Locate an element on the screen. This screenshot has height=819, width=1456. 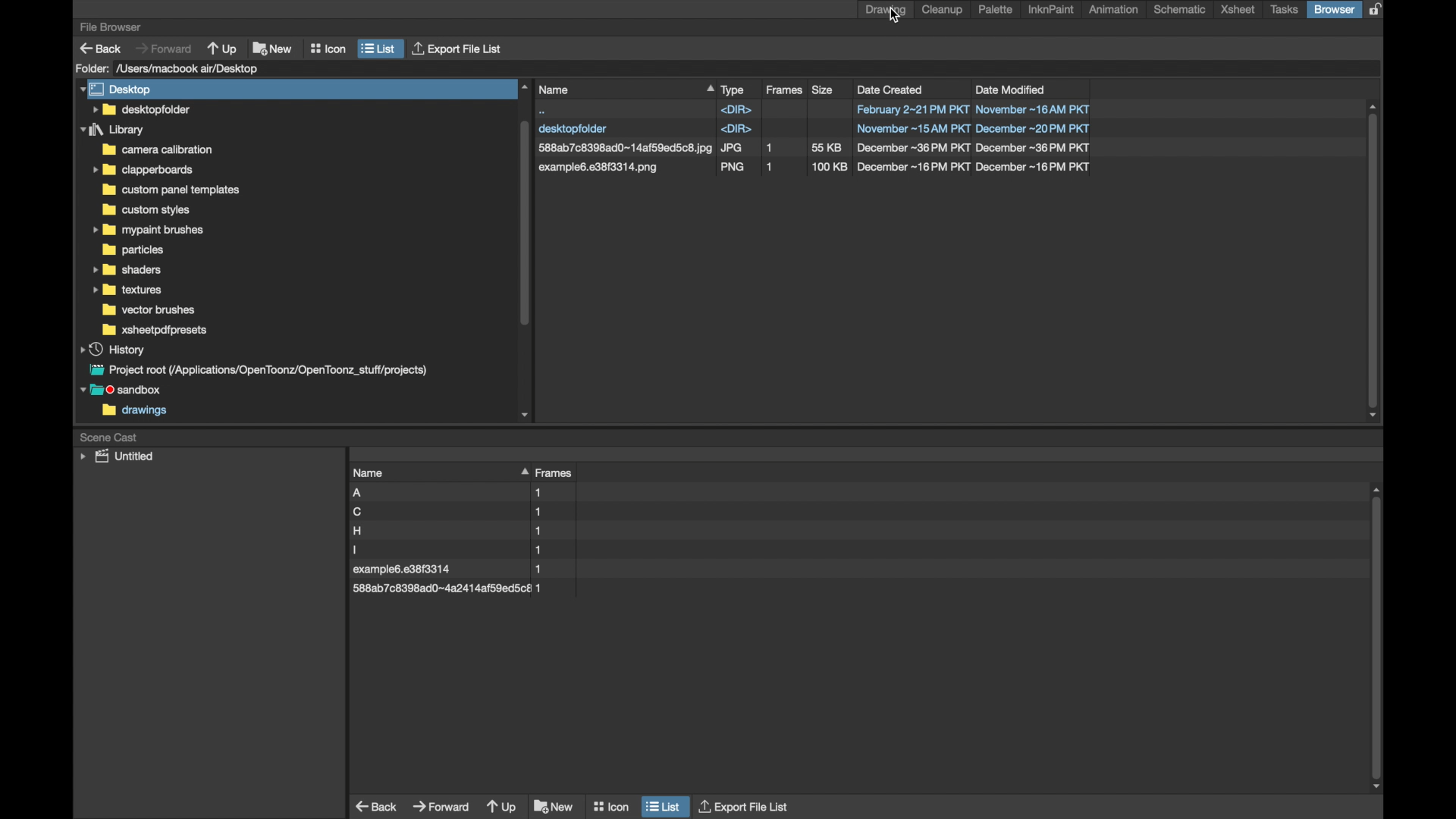
inknpaint  is located at coordinates (1051, 10).